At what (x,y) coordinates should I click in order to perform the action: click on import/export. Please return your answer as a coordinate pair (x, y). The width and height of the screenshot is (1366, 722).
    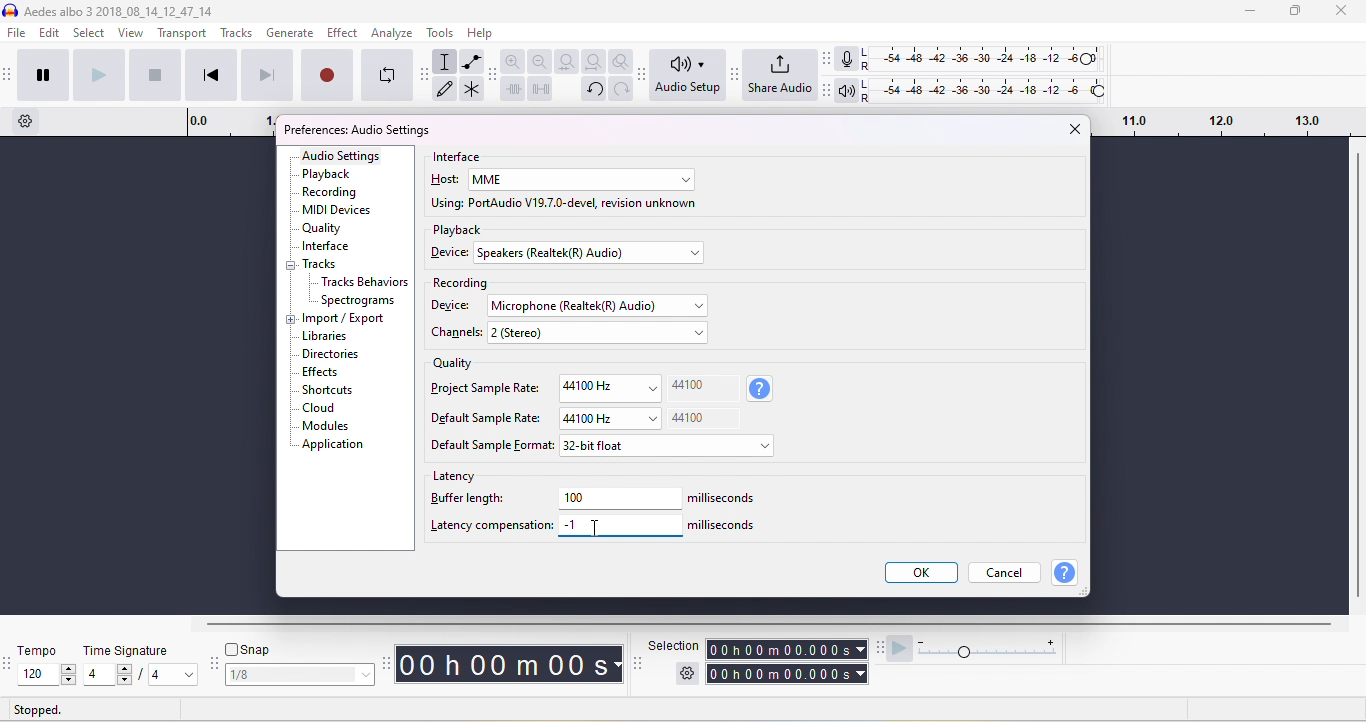
    Looking at the image, I should click on (346, 319).